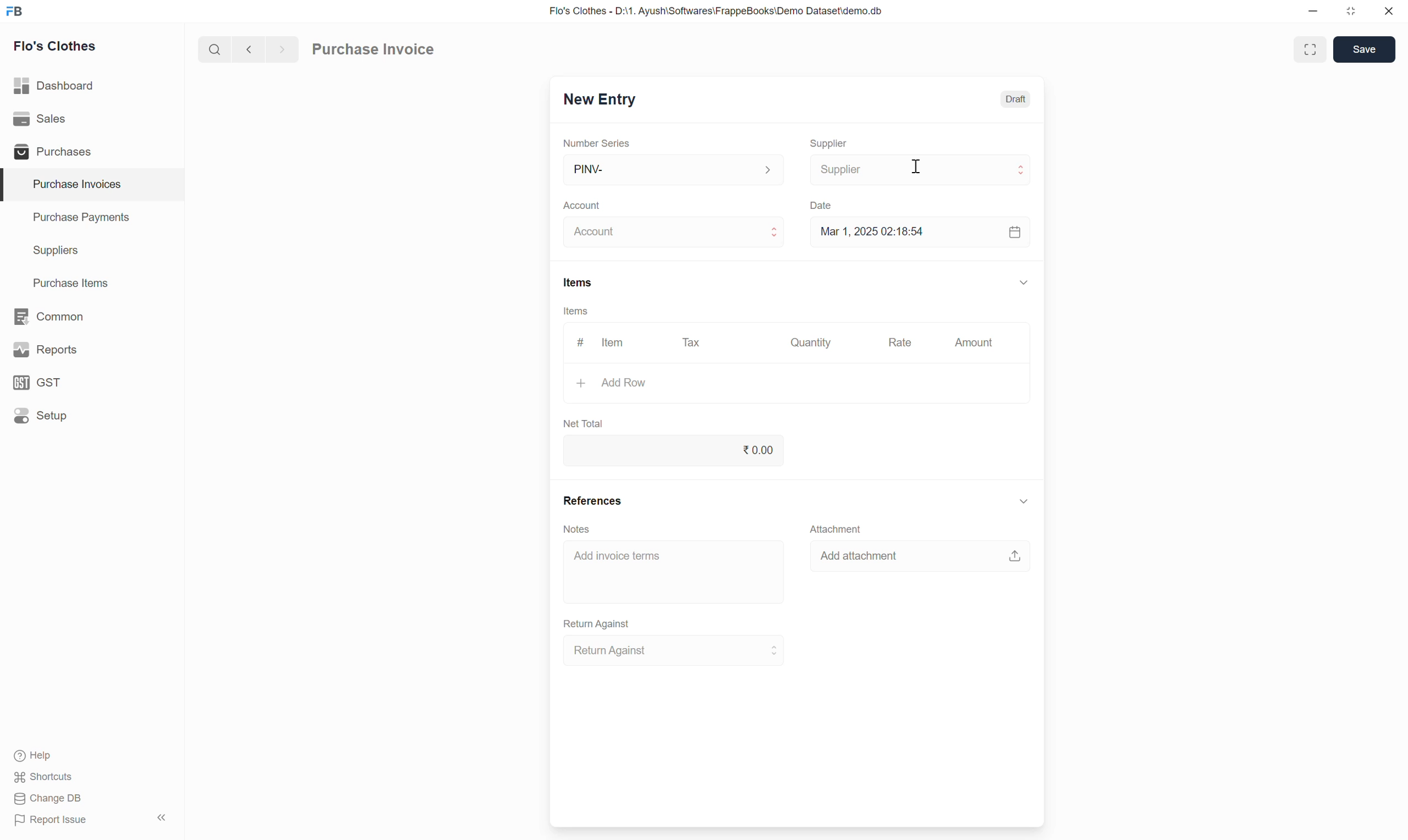 This screenshot has width=1408, height=840. What do you see at coordinates (674, 451) in the screenshot?
I see `0.00` at bounding box center [674, 451].